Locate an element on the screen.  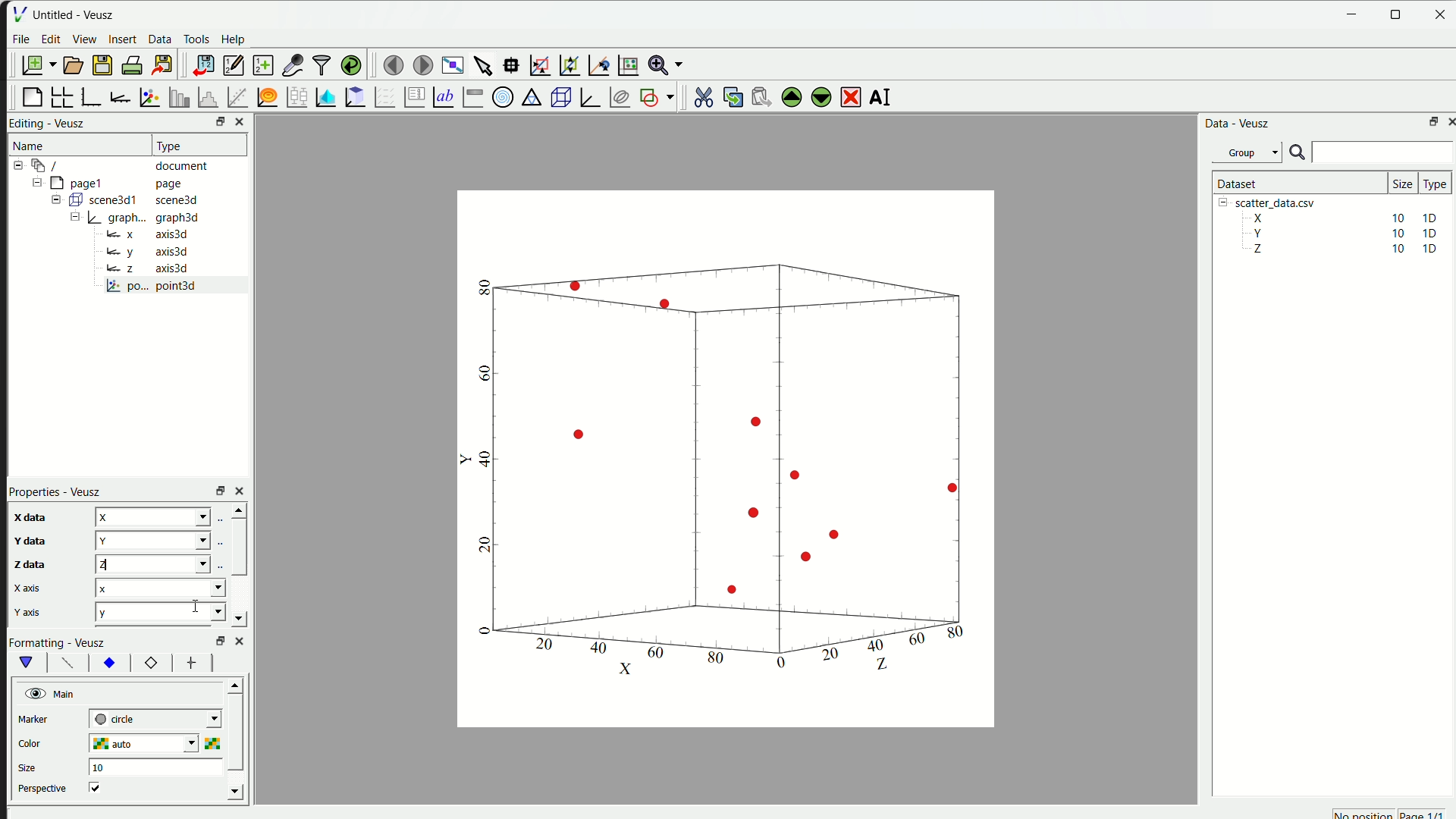
draw rectangle to zoom axes is located at coordinates (540, 63).